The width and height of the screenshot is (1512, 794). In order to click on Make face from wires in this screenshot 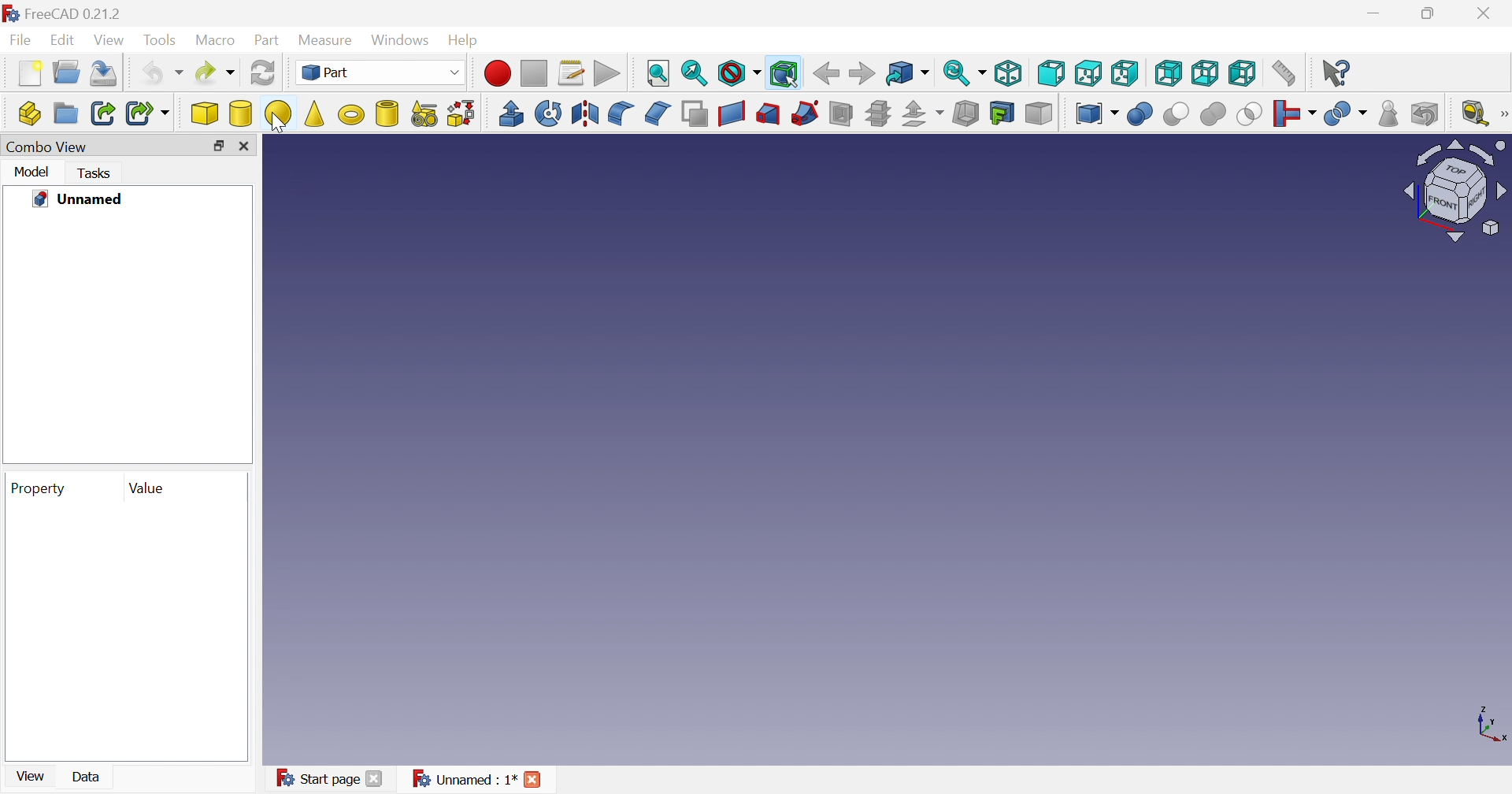, I will do `click(695, 114)`.